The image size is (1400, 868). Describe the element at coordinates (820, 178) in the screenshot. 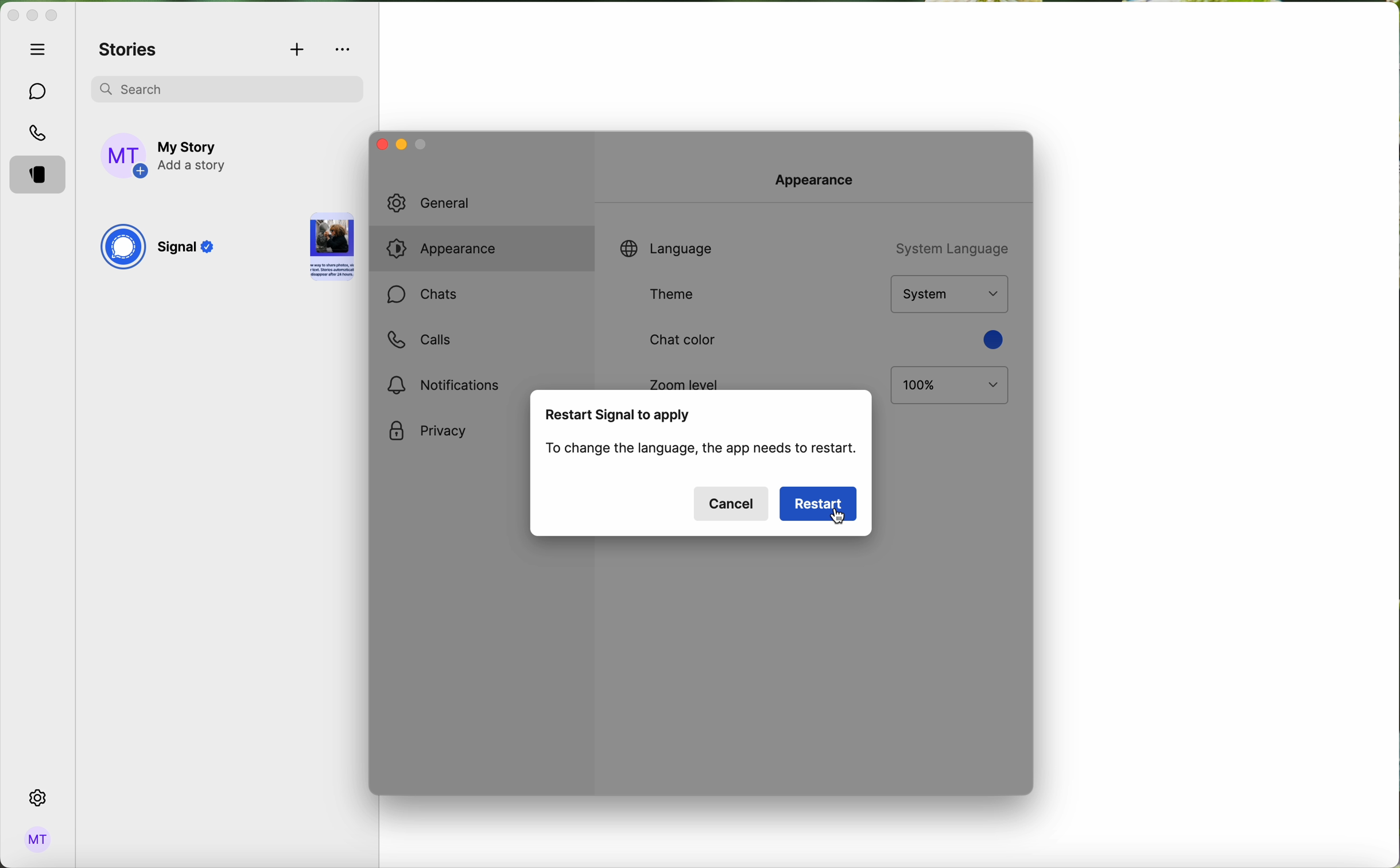

I see `Appearance` at that location.